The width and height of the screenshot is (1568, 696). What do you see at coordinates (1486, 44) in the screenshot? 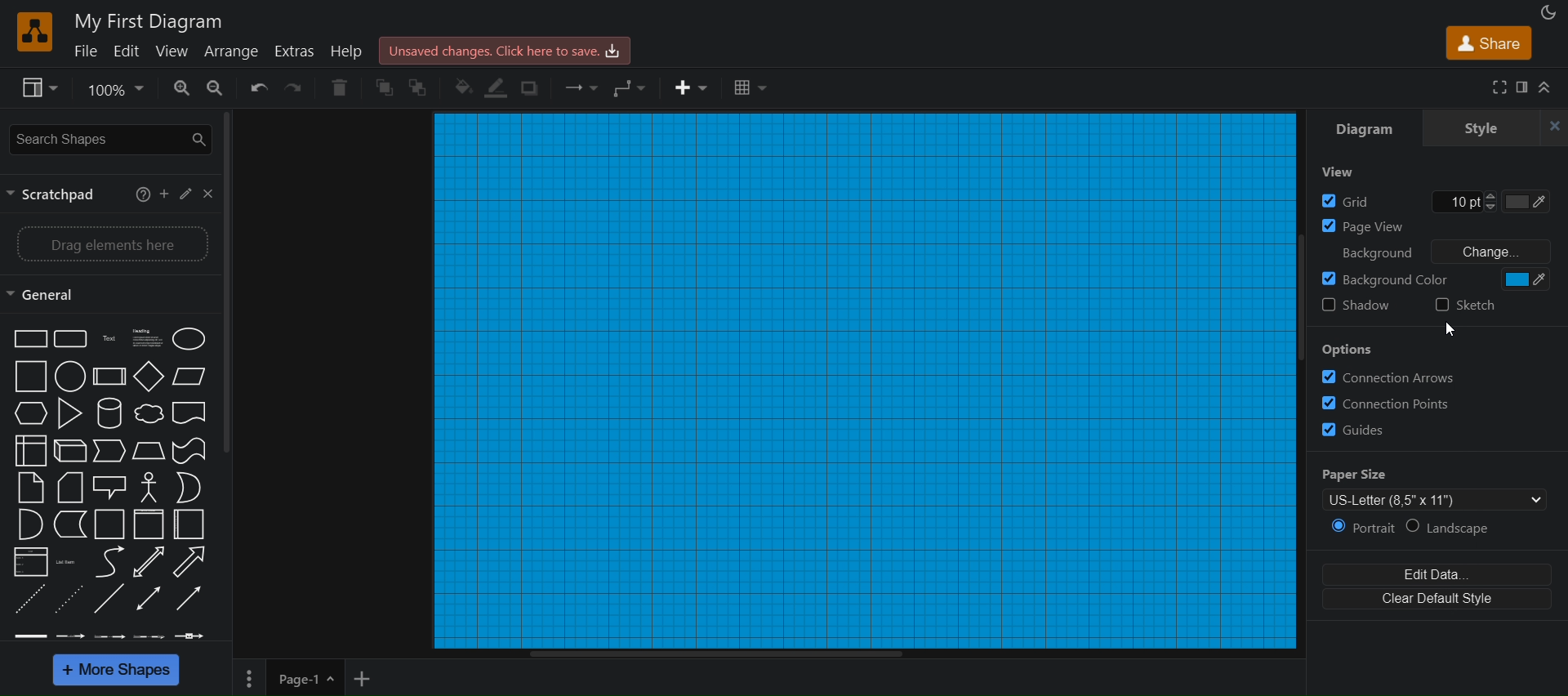
I see `share` at bounding box center [1486, 44].